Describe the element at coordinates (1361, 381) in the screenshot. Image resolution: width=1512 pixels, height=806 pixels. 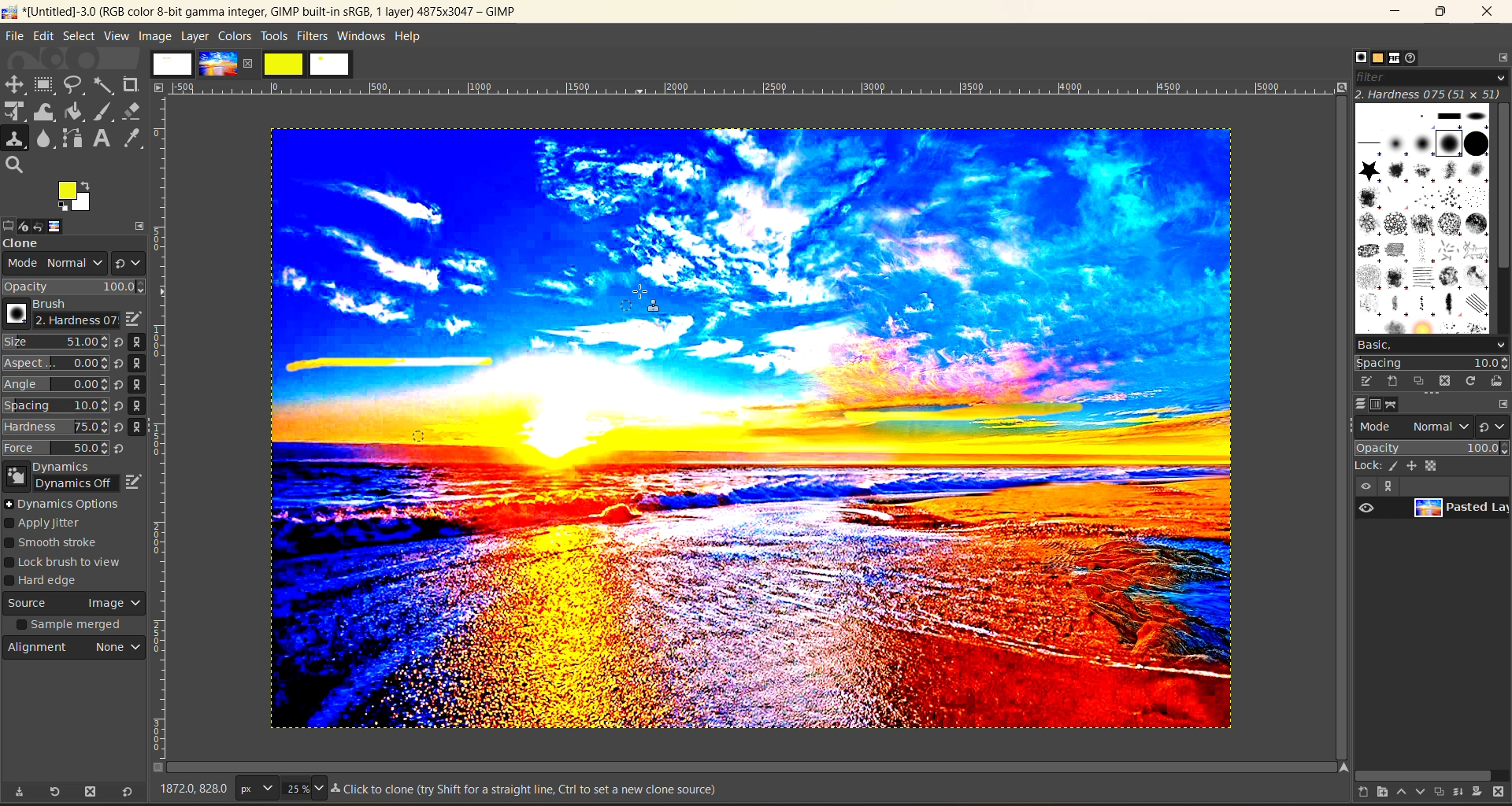
I see `edit this brush` at that location.